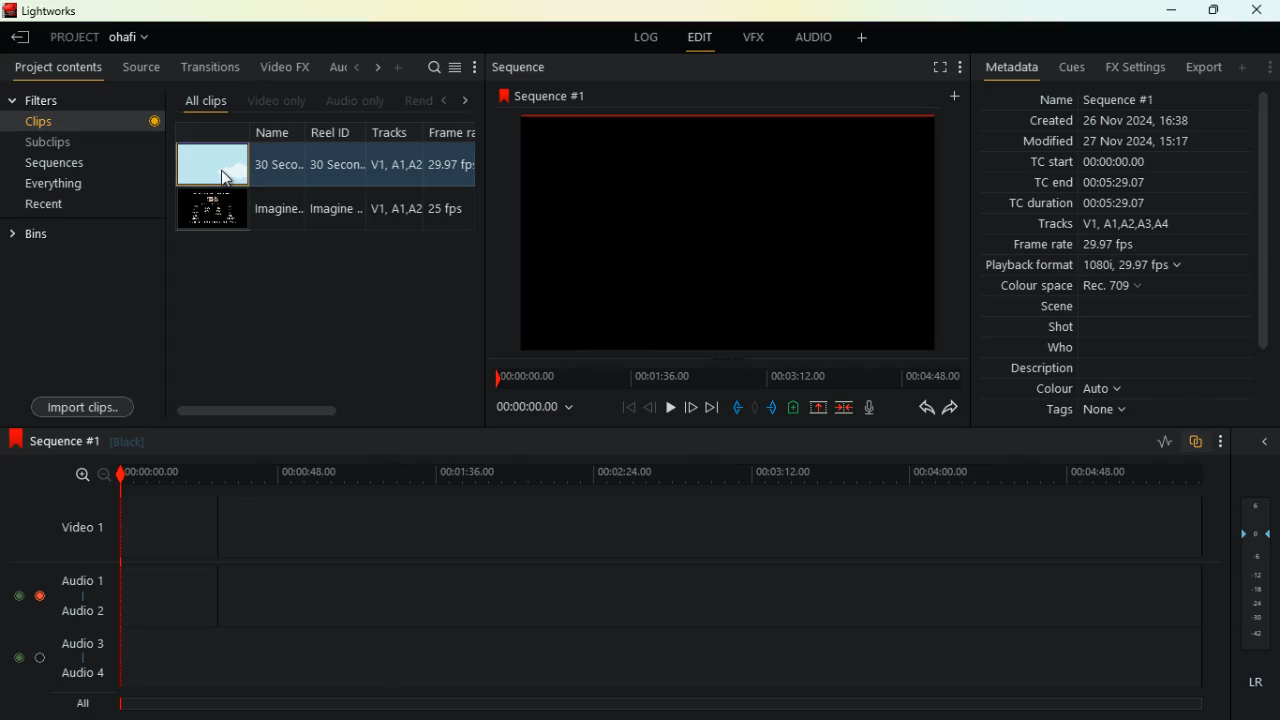 This screenshot has height=720, width=1280. I want to click on import clips, so click(79, 401).